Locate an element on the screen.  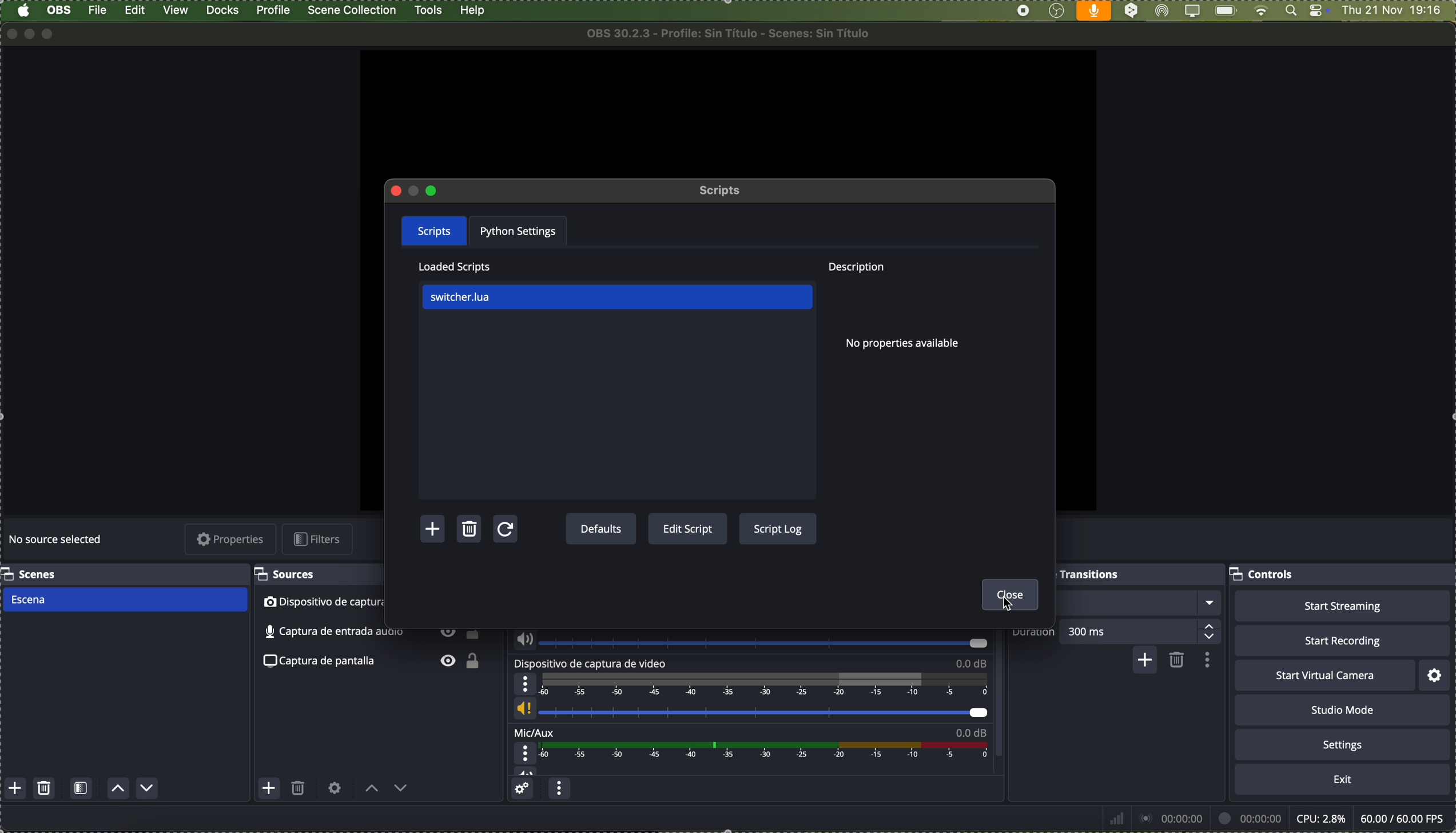
add scene is located at coordinates (15, 789).